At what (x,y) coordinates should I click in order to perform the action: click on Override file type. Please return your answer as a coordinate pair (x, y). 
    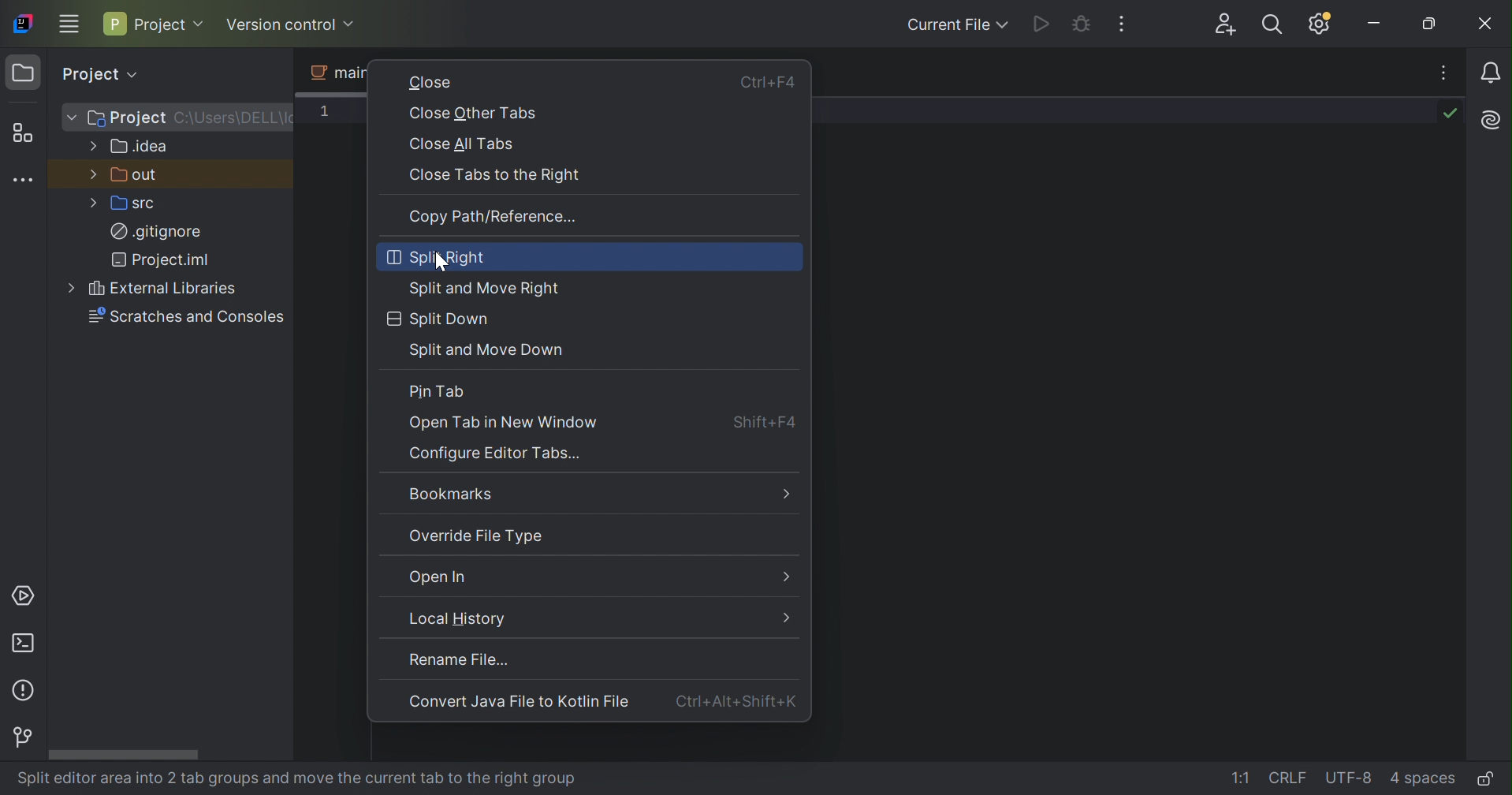
    Looking at the image, I should click on (478, 537).